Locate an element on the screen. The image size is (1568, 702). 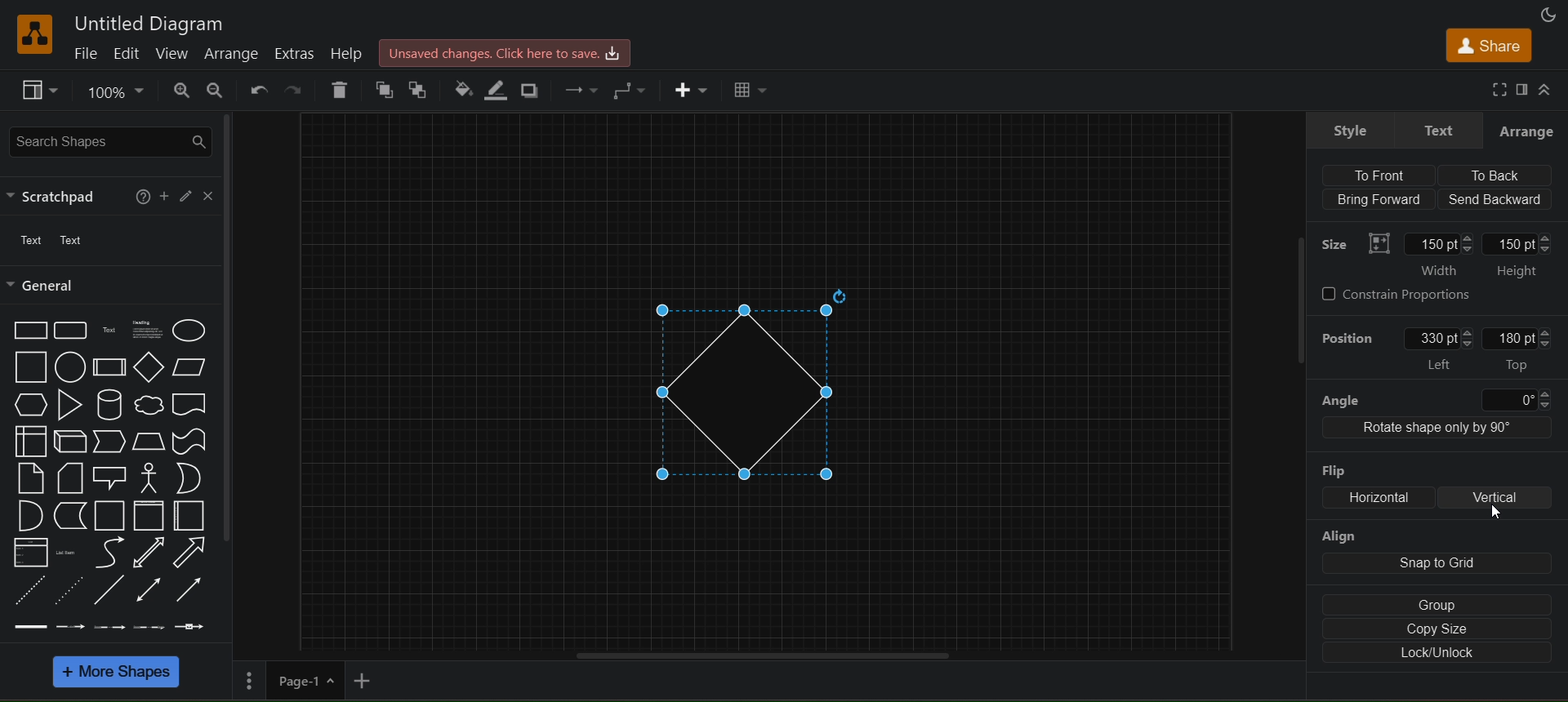
delete is located at coordinates (341, 91).